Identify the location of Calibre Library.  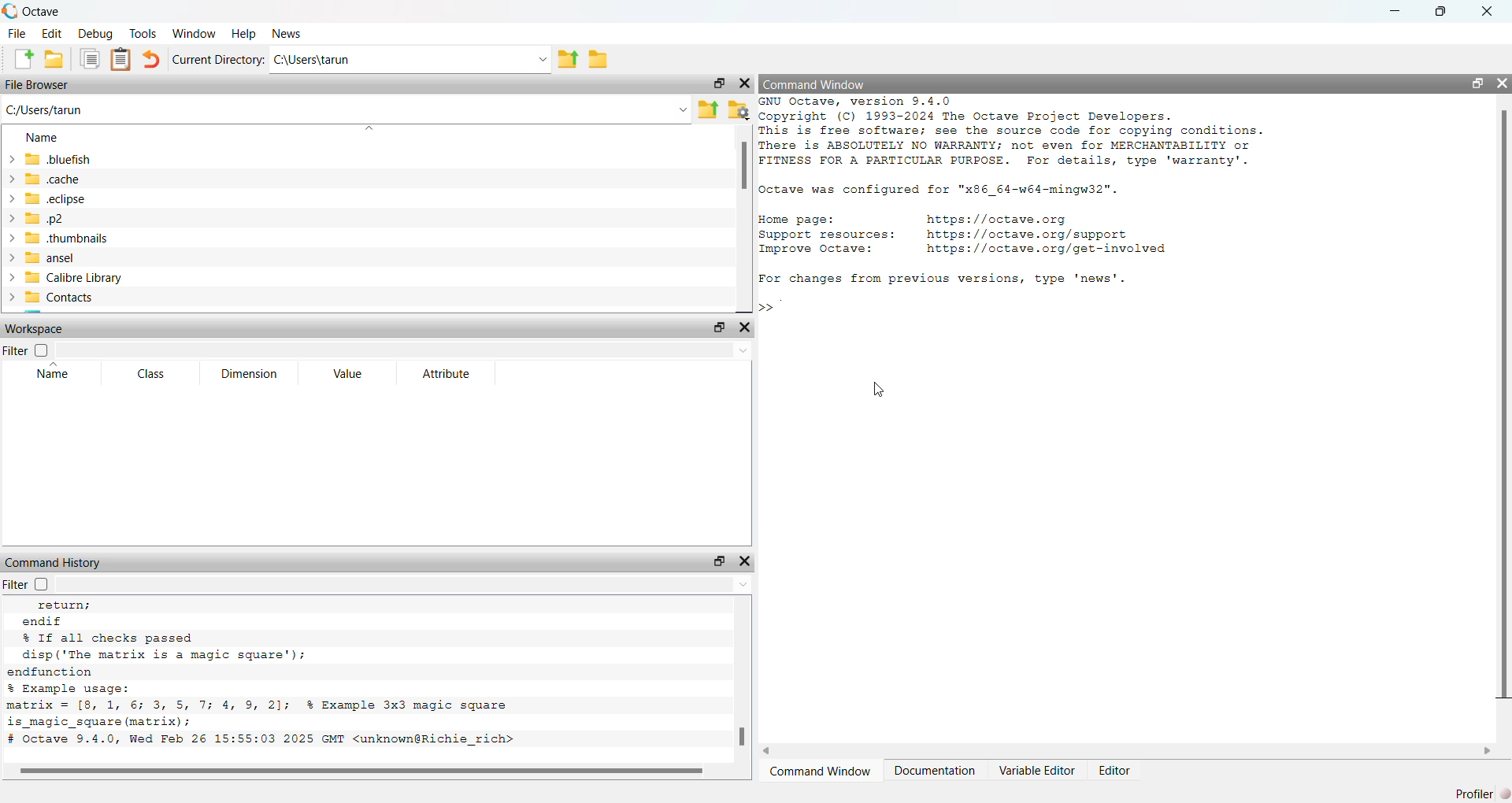
(63, 277).